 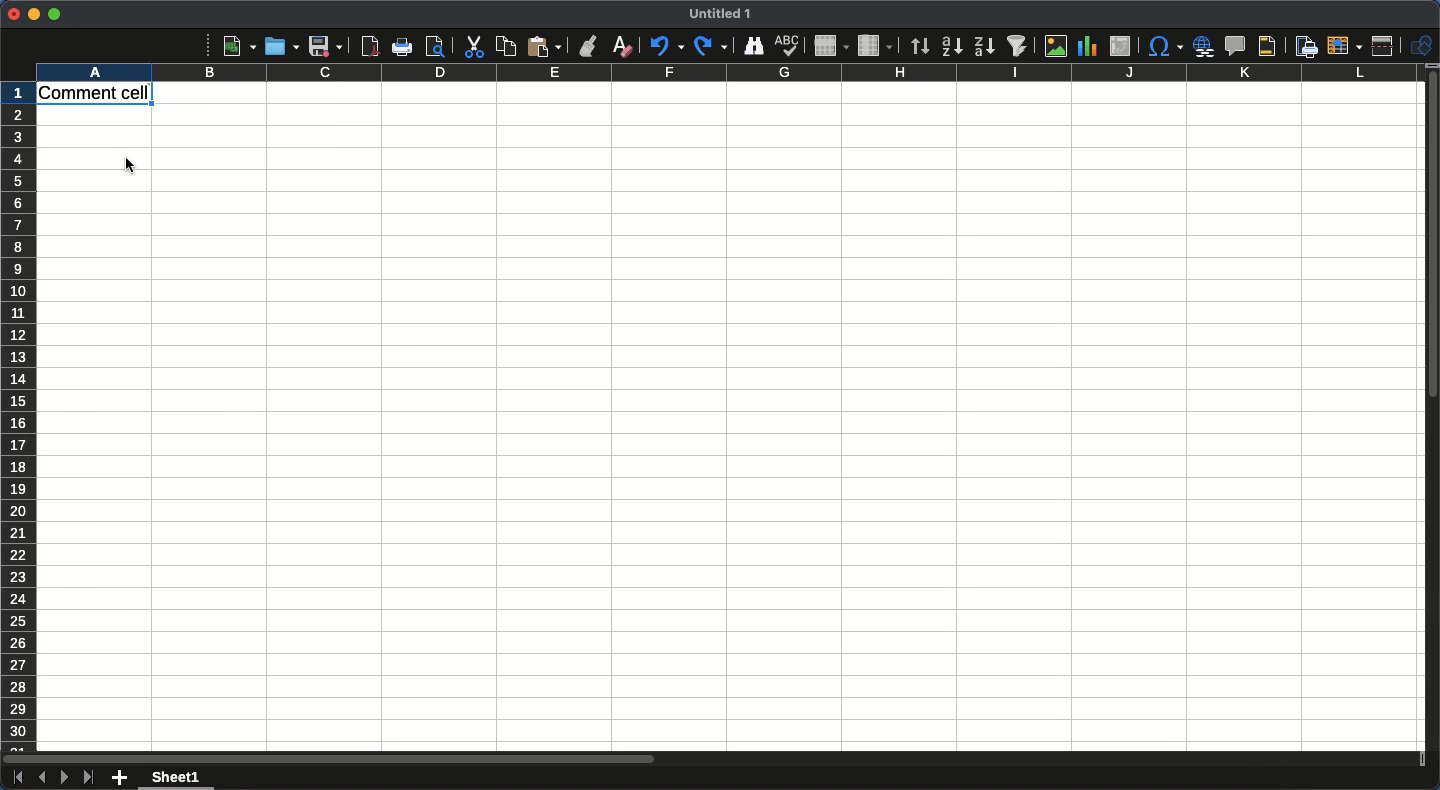 What do you see at coordinates (544, 45) in the screenshot?
I see `Paste` at bounding box center [544, 45].